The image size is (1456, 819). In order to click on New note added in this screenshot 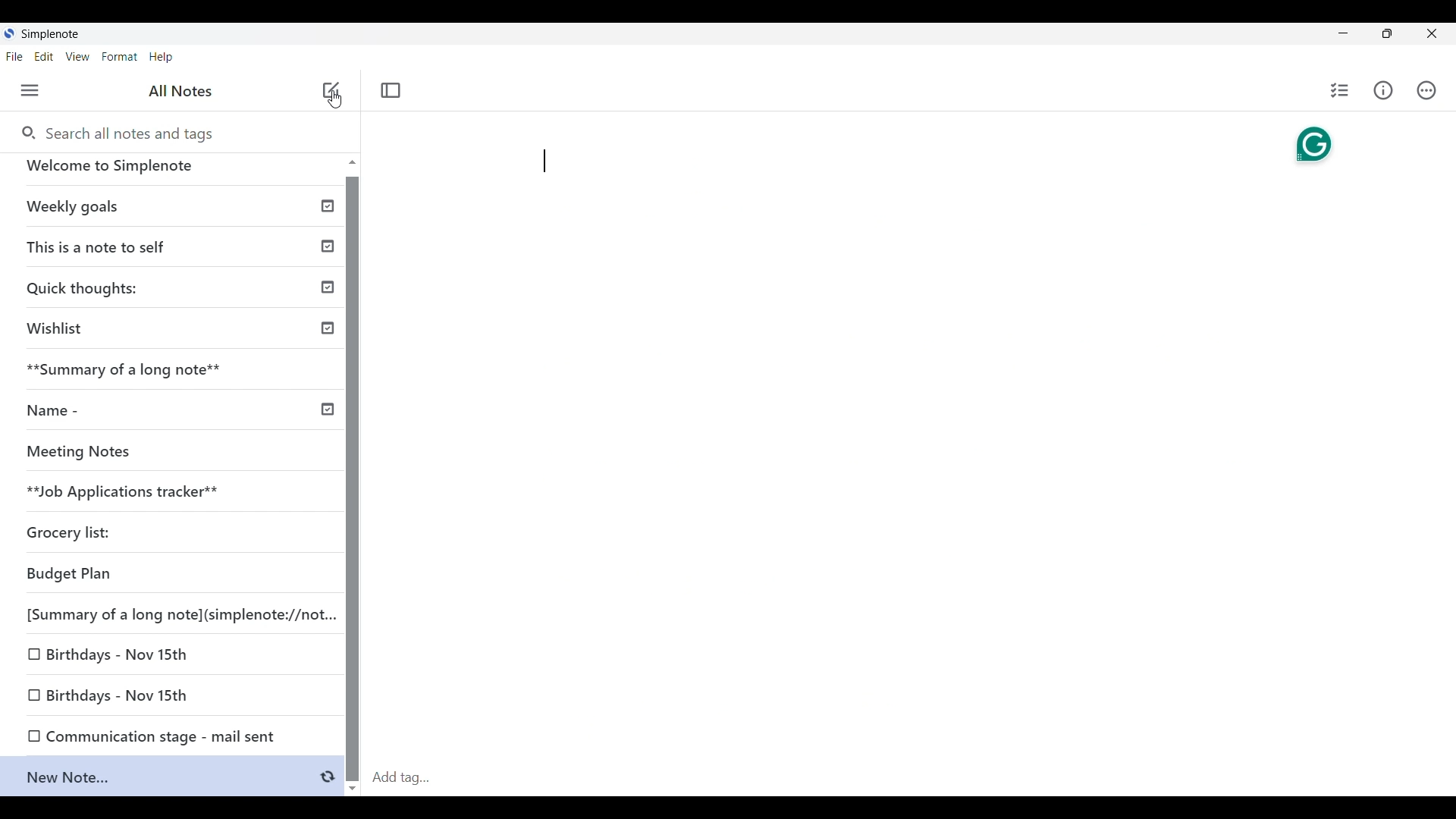, I will do `click(162, 780)`.